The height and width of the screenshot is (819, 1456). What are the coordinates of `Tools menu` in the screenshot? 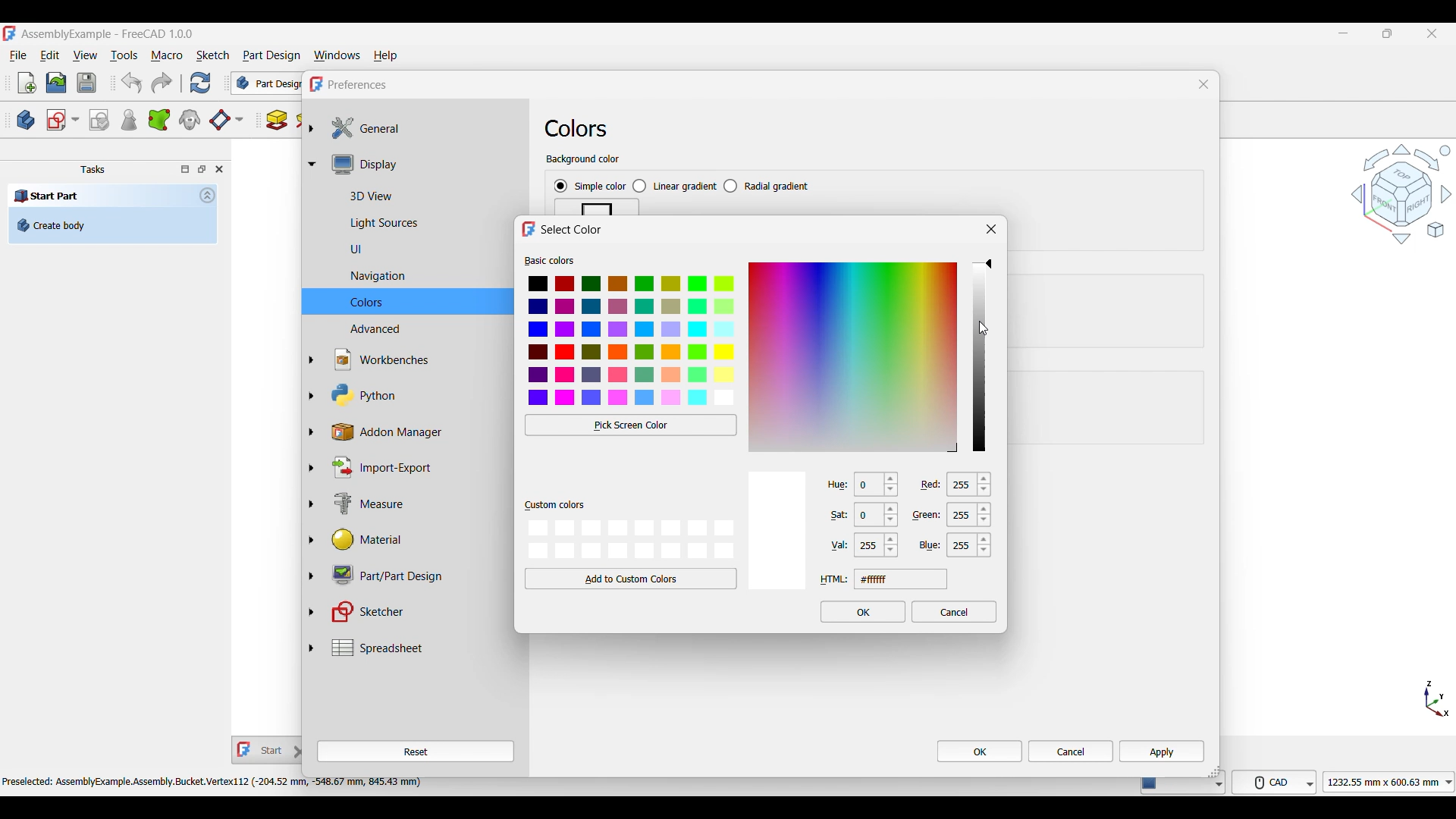 It's located at (124, 55).